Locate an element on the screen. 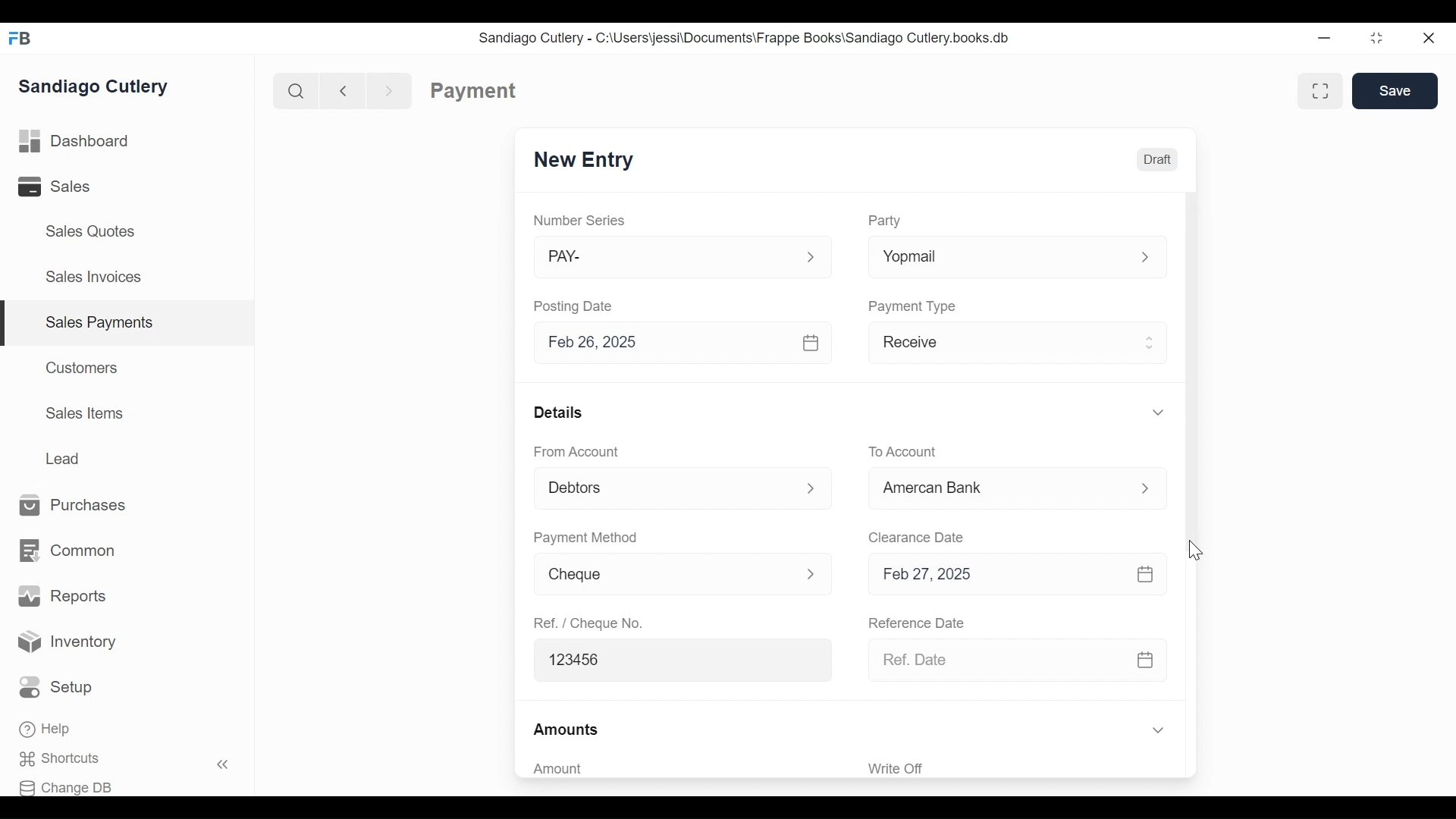 The image size is (1456, 819). Search is located at coordinates (293, 90).